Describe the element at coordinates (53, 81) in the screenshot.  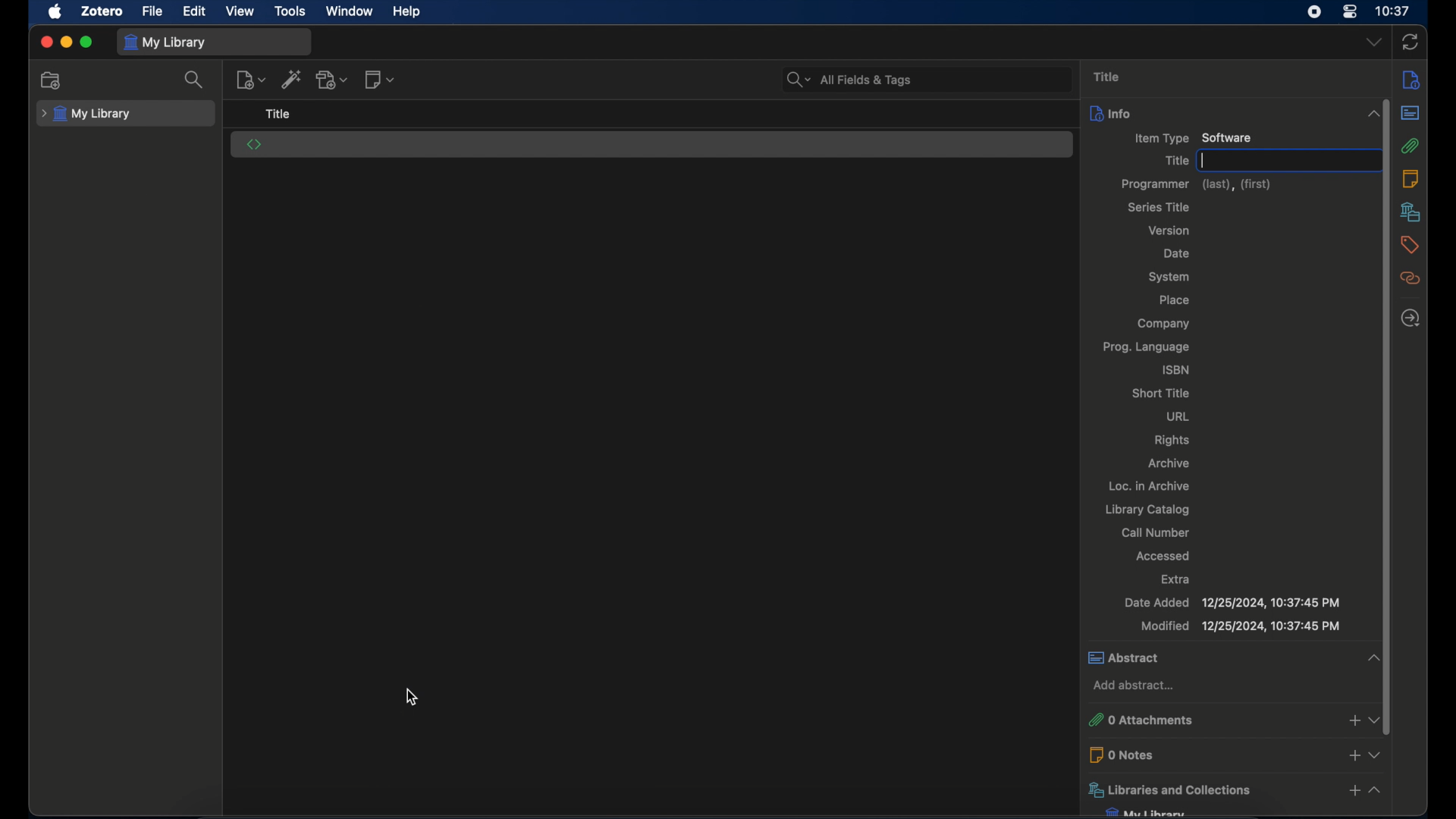
I see `new collection` at that location.